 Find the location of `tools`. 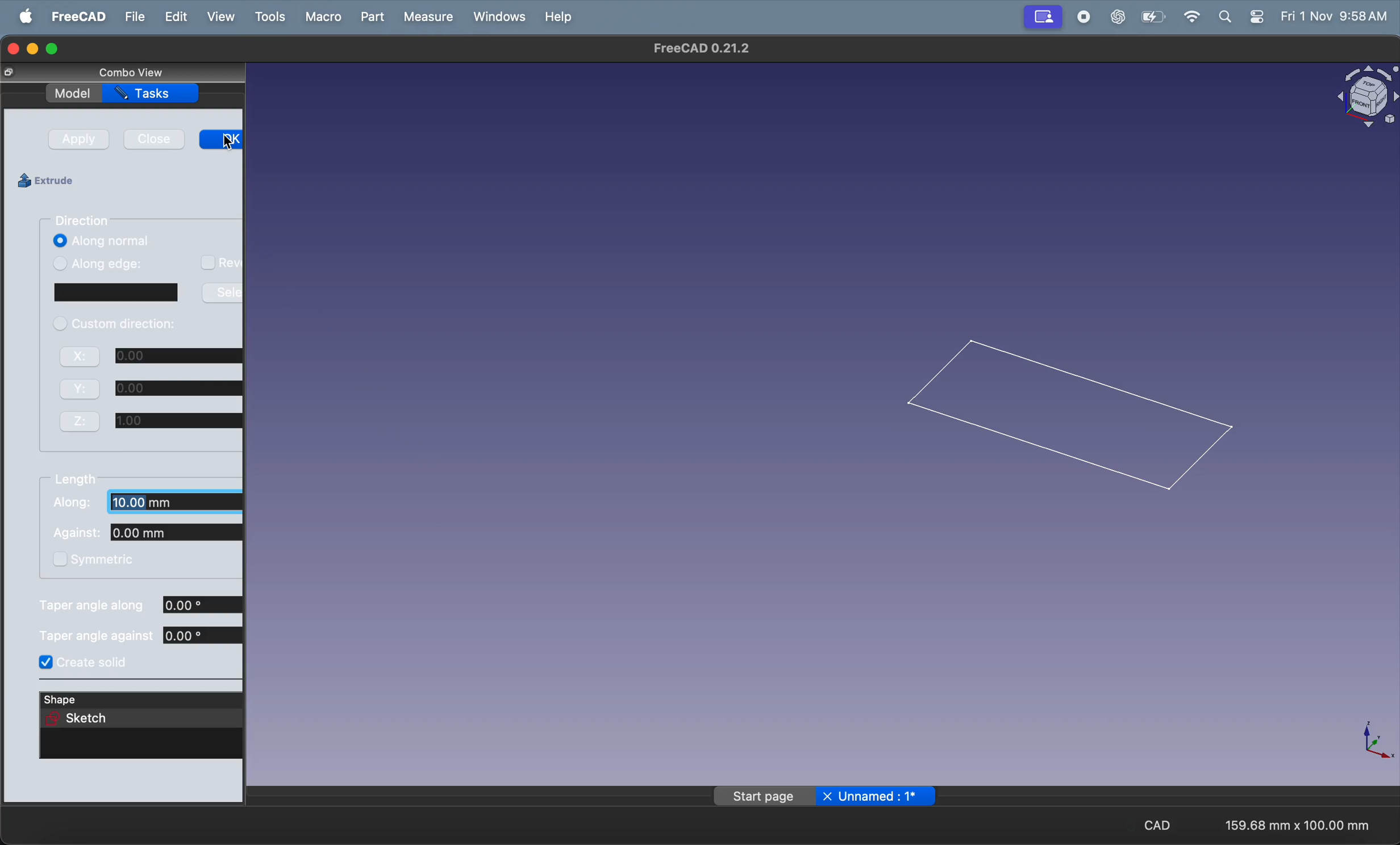

tools is located at coordinates (265, 16).